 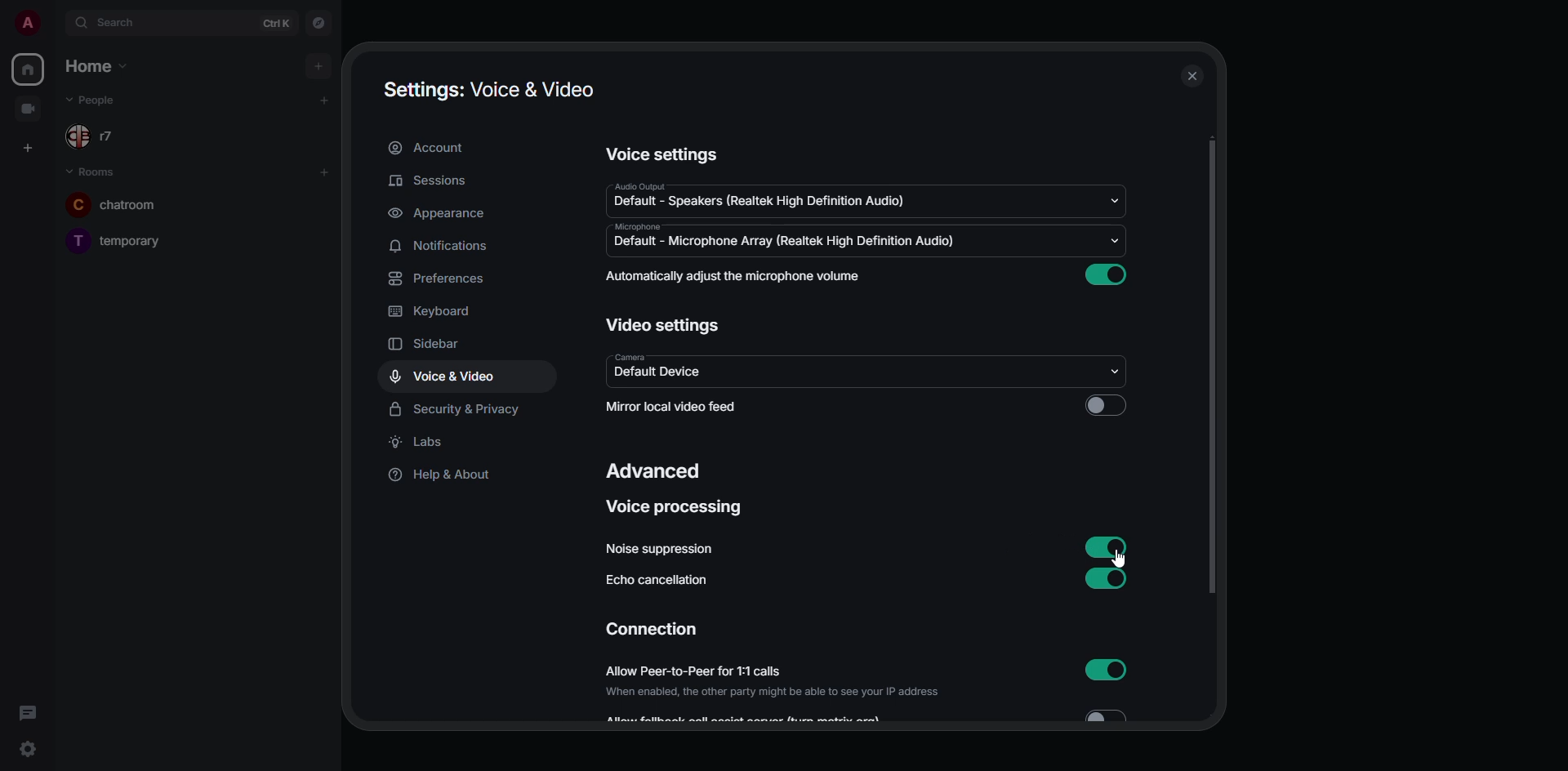 What do you see at coordinates (679, 507) in the screenshot?
I see `voice processing` at bounding box center [679, 507].